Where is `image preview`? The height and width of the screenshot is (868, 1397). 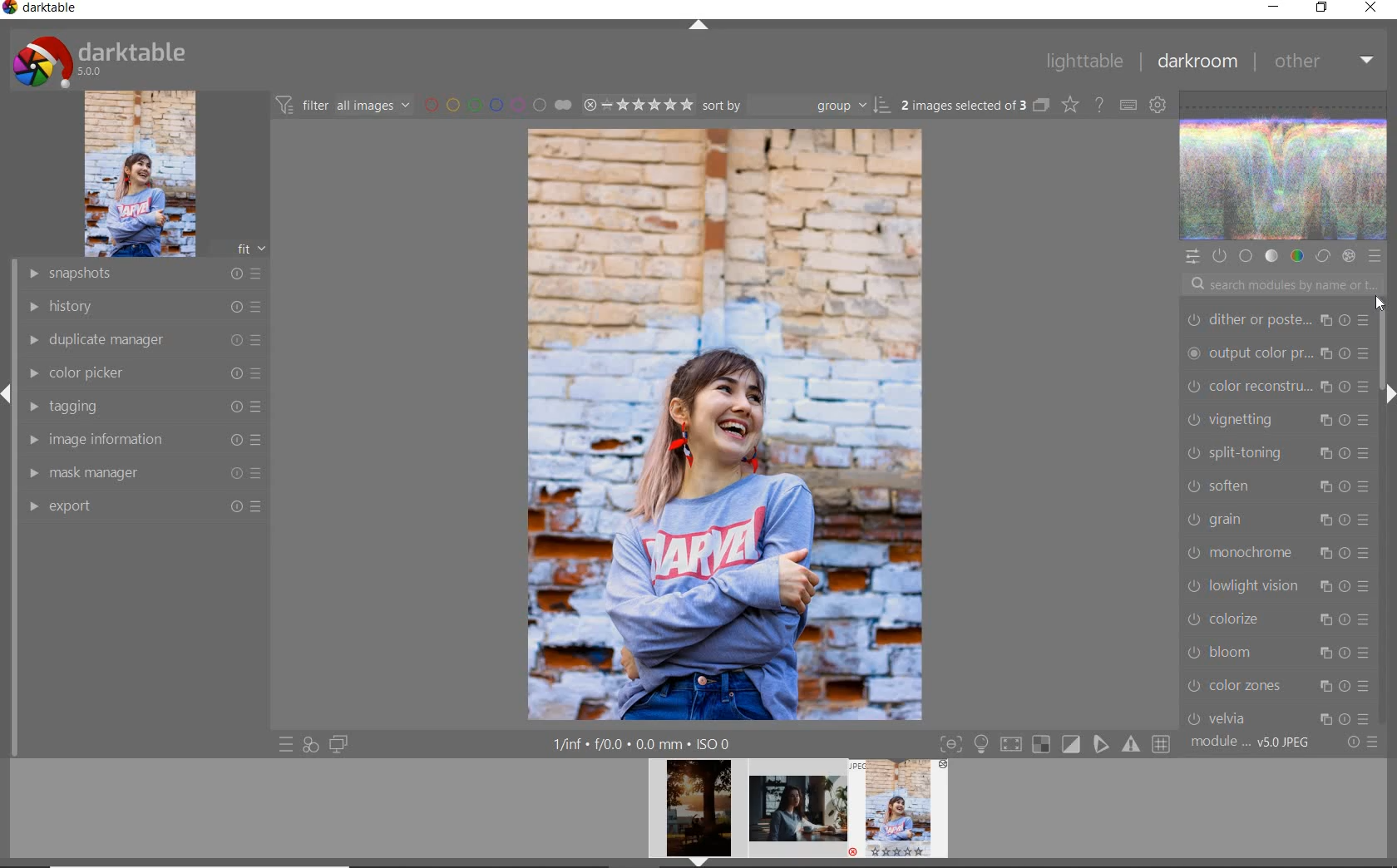 image preview is located at coordinates (694, 813).